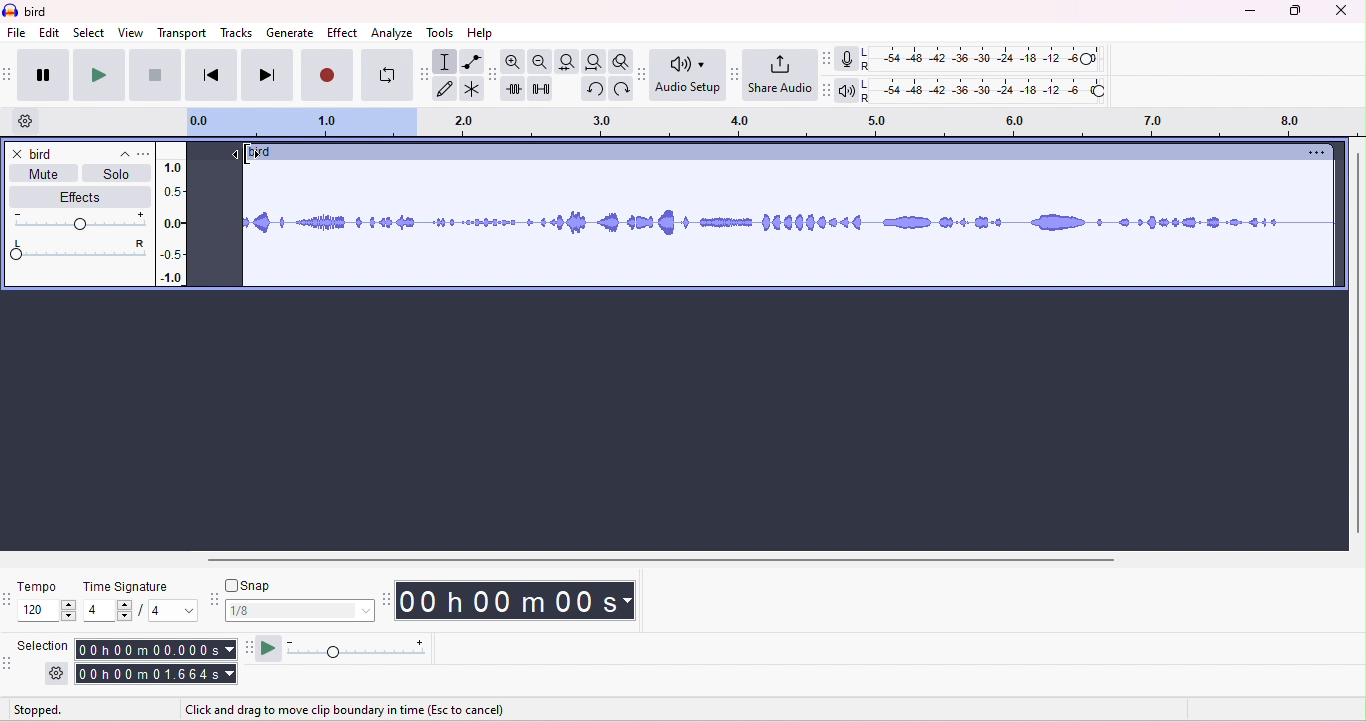 The height and width of the screenshot is (722, 1366). What do you see at coordinates (779, 75) in the screenshot?
I see `share audio ` at bounding box center [779, 75].